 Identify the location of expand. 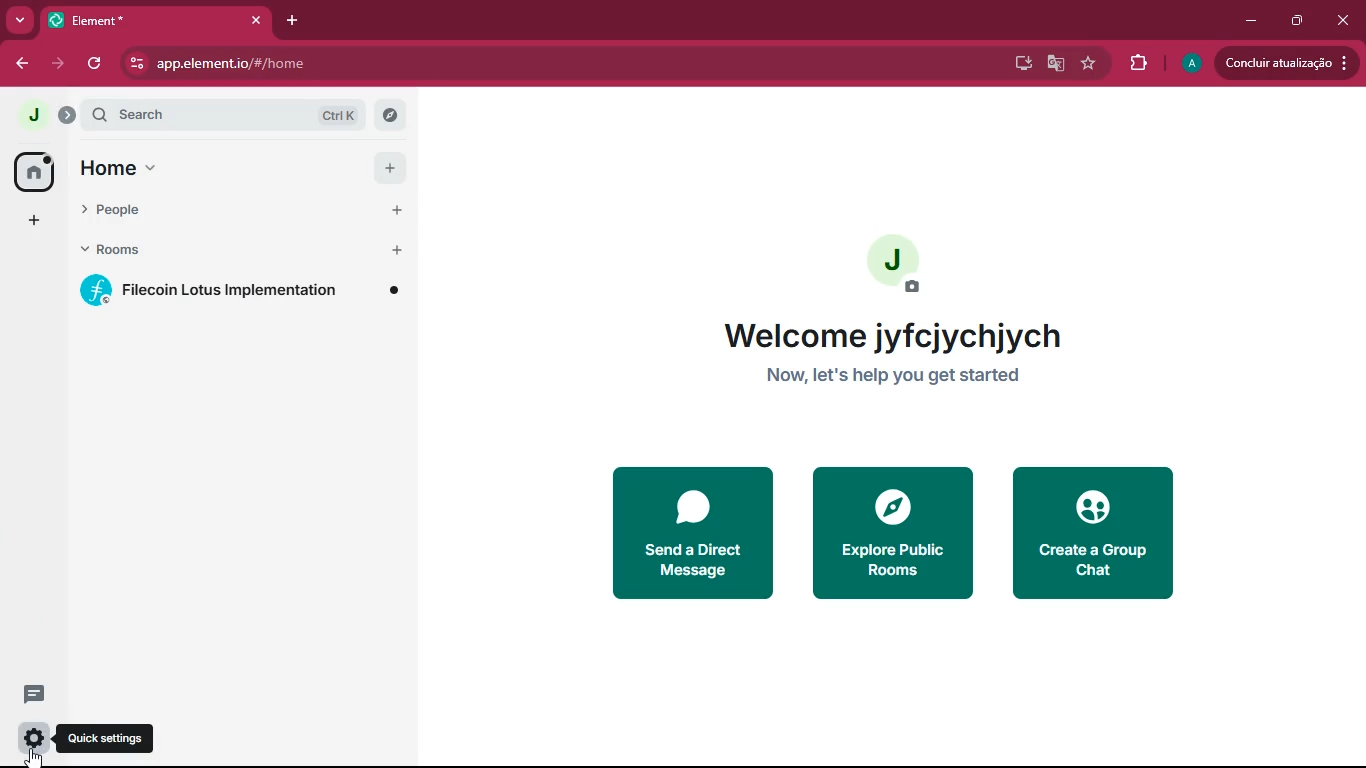
(68, 115).